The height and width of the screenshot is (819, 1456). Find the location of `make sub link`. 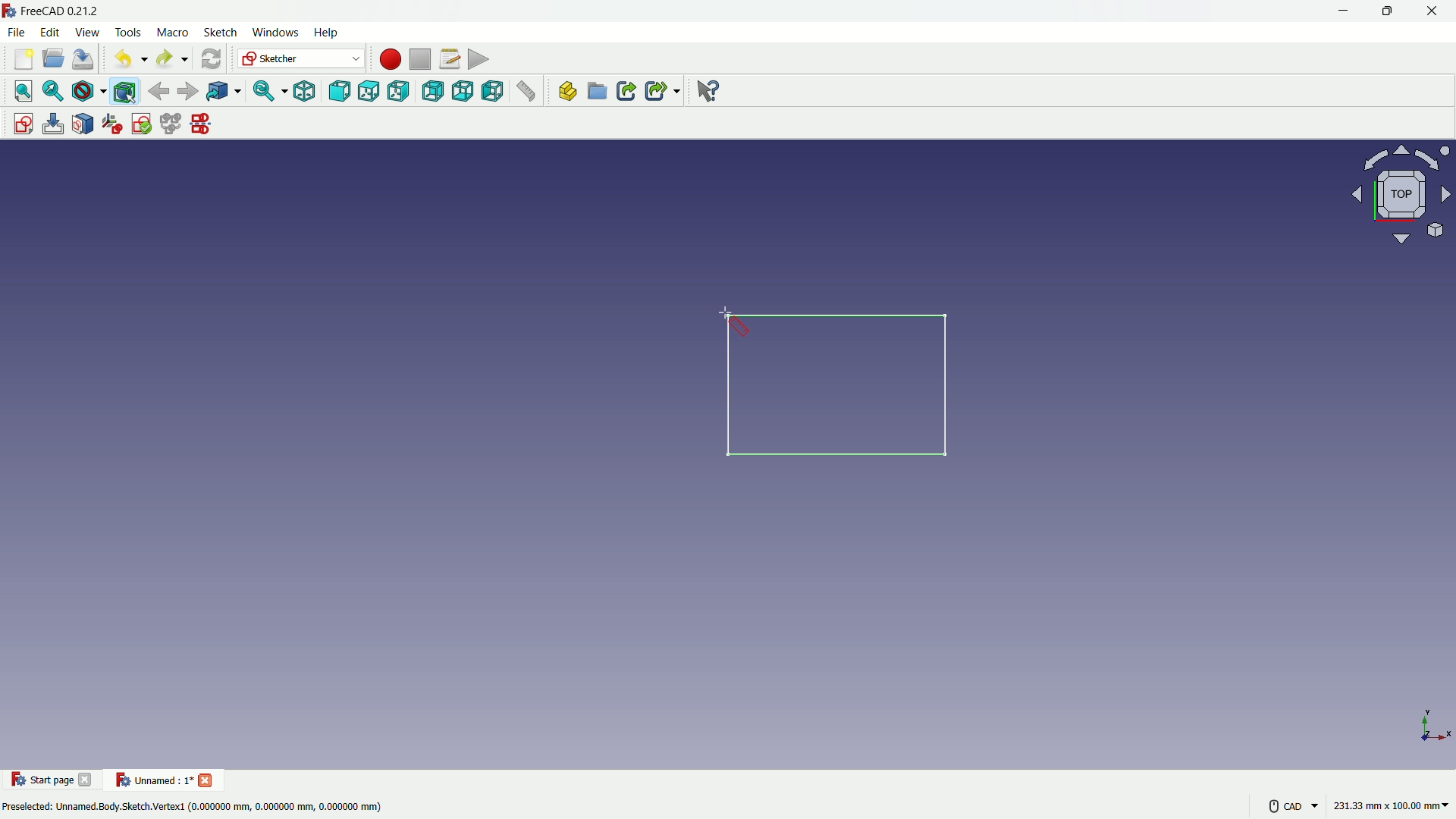

make sub link is located at coordinates (661, 91).